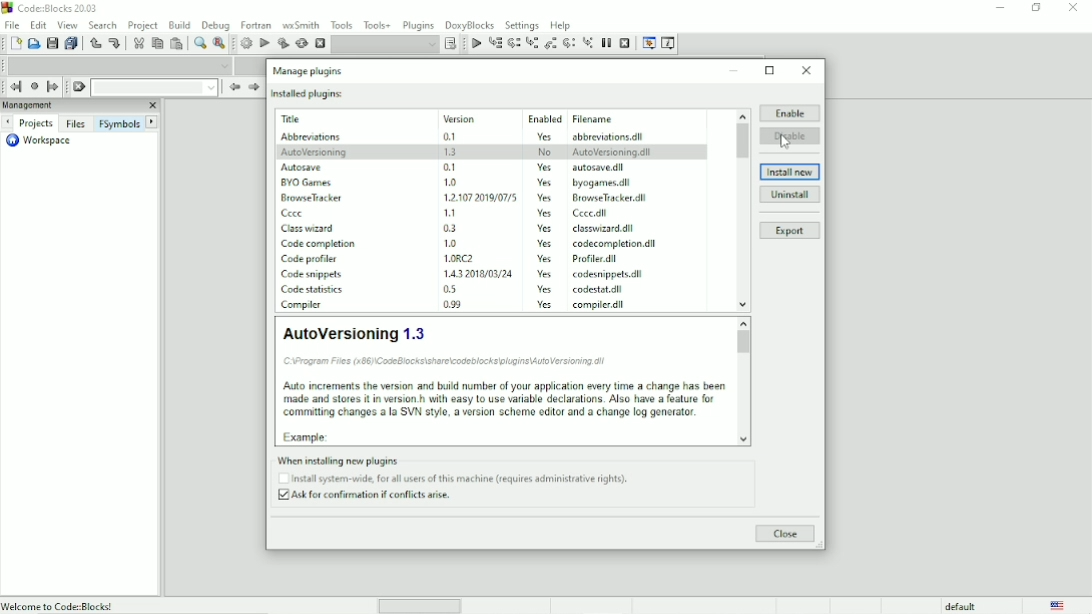  What do you see at coordinates (313, 291) in the screenshot?
I see `Code statistics` at bounding box center [313, 291].